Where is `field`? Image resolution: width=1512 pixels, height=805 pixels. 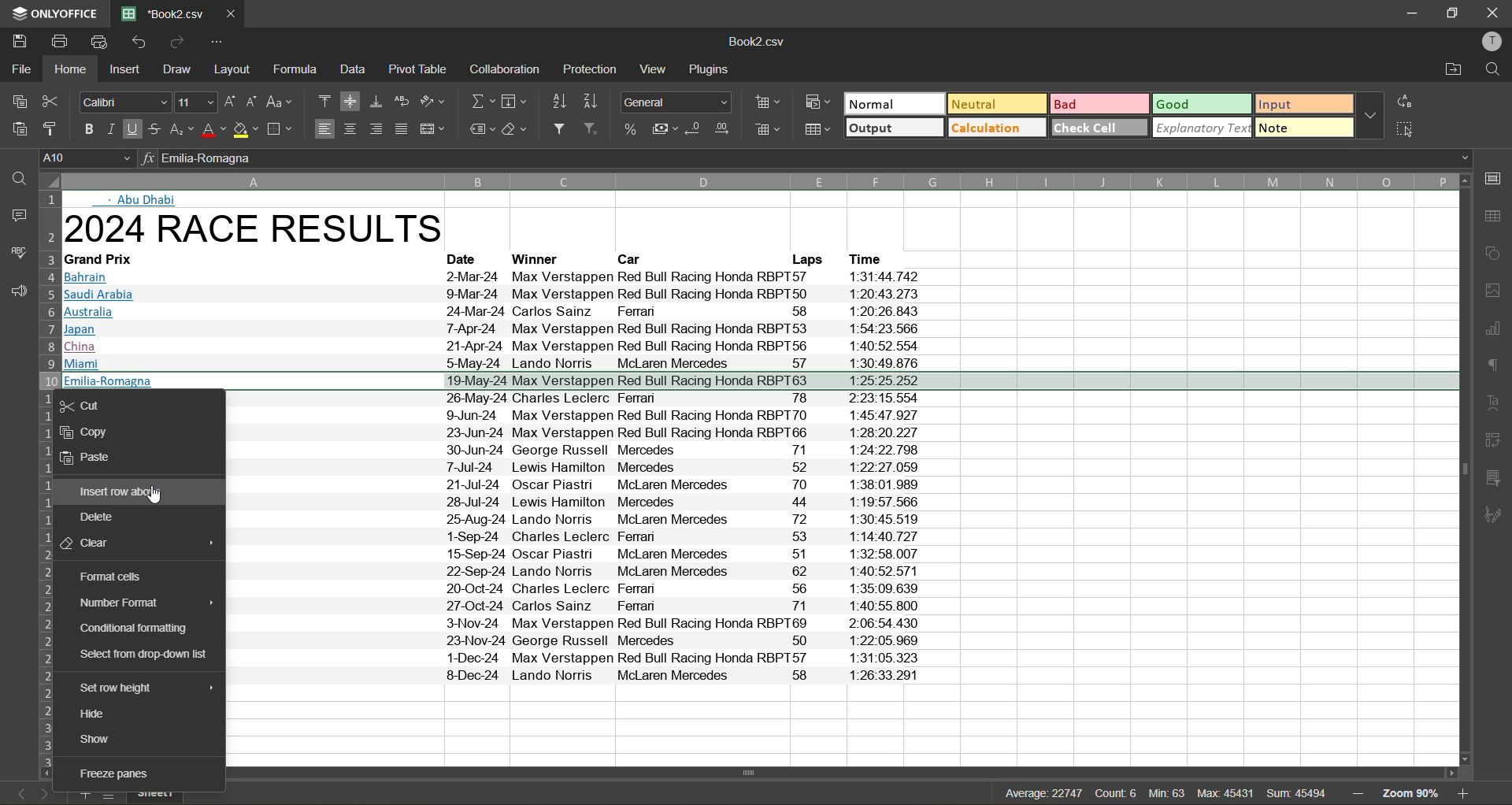 field is located at coordinates (515, 101).